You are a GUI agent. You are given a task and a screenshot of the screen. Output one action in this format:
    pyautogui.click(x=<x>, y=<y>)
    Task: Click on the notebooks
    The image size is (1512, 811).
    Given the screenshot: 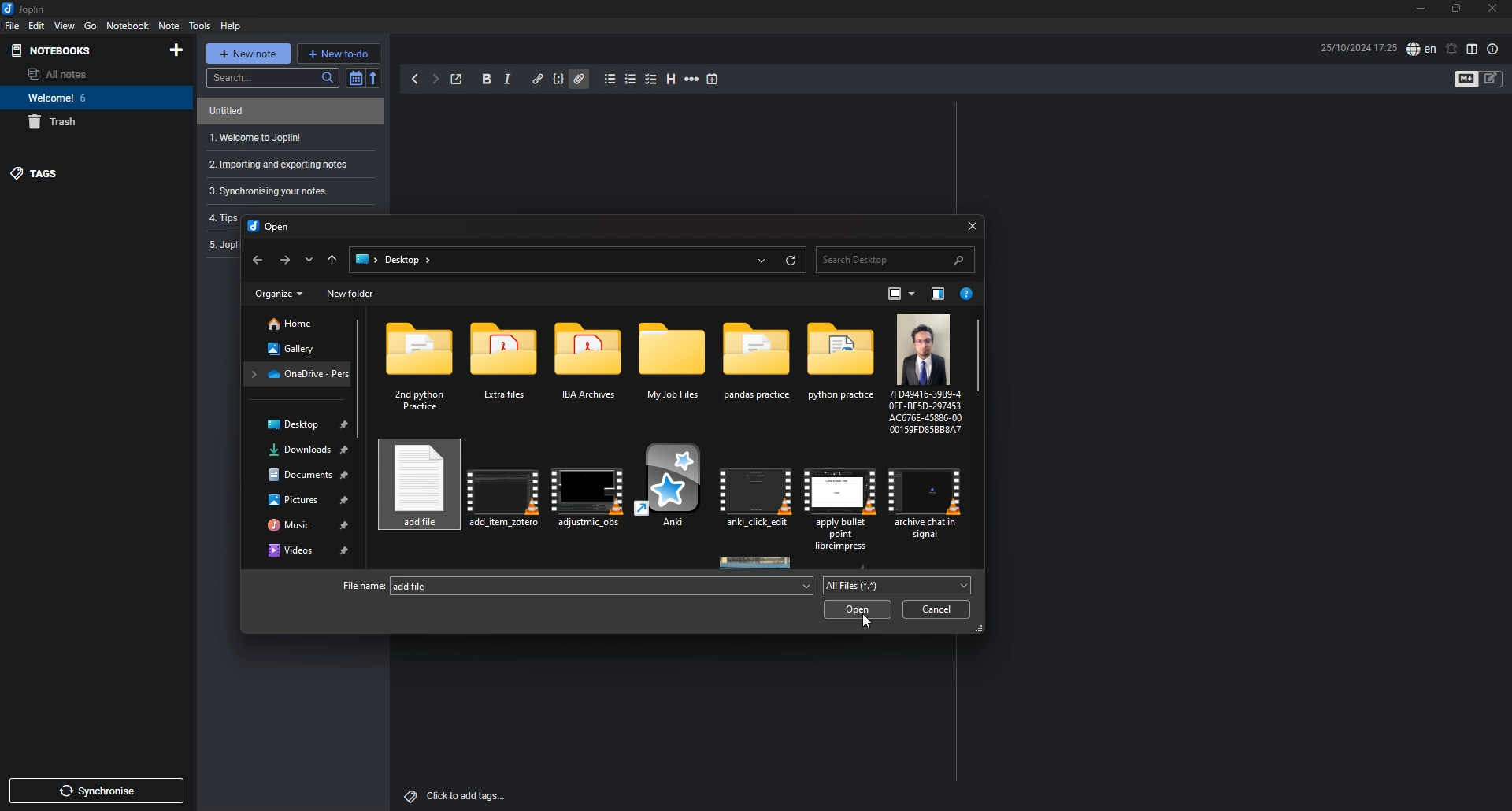 What is the action you would take?
    pyautogui.click(x=77, y=50)
    